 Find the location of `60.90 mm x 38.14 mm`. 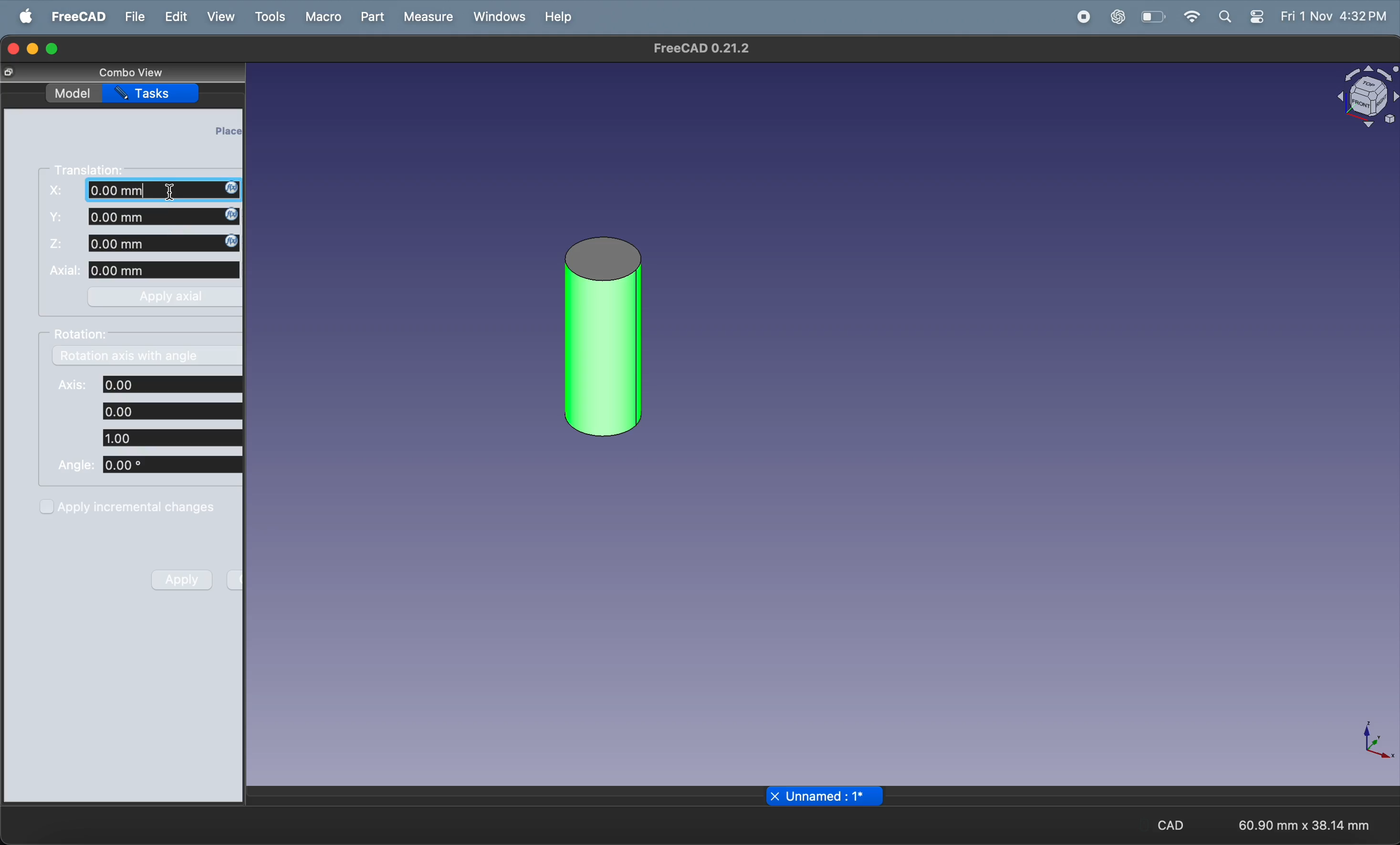

60.90 mm x 38.14 mm is located at coordinates (1304, 825).